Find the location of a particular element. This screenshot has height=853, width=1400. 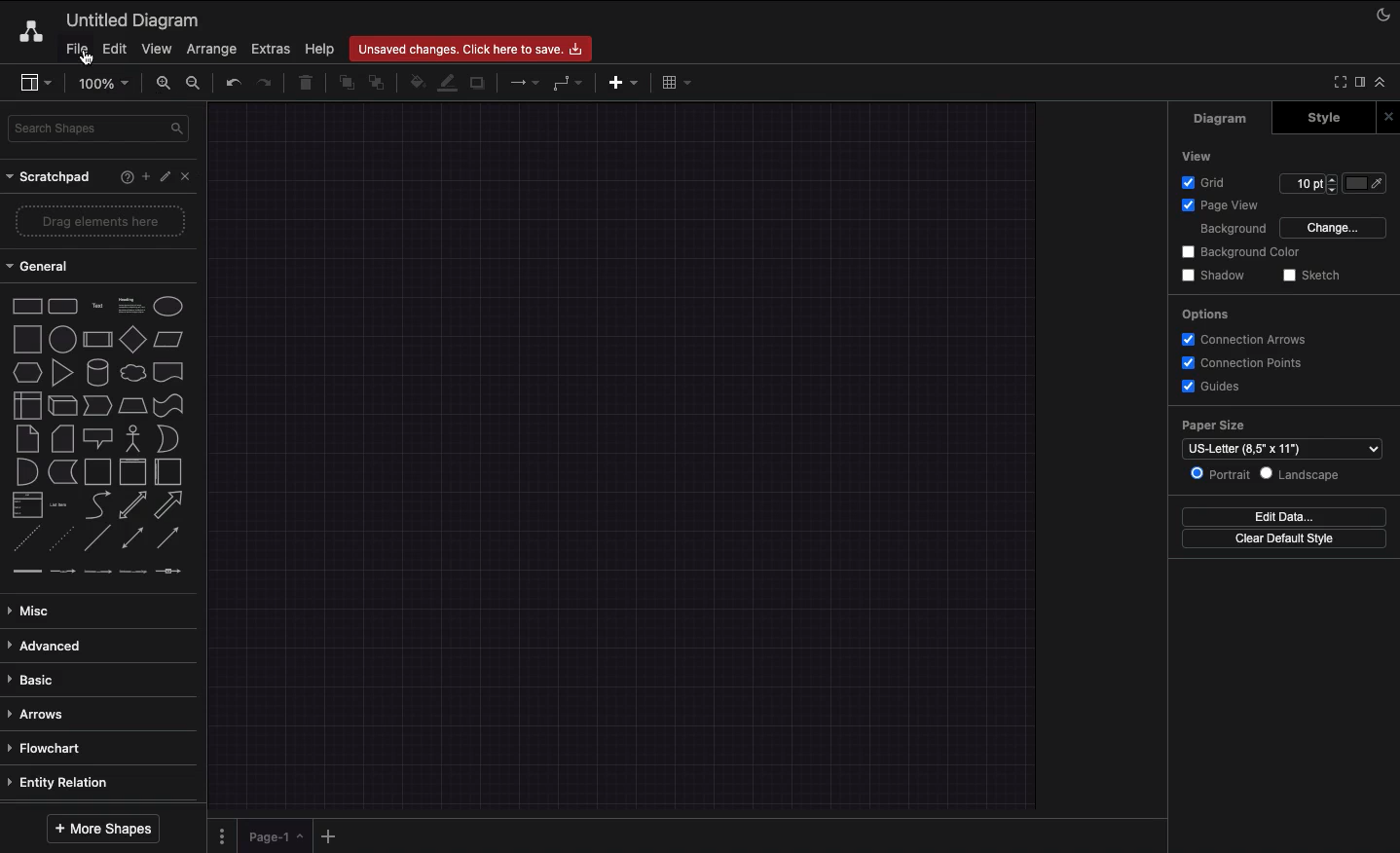

Trash is located at coordinates (309, 84).